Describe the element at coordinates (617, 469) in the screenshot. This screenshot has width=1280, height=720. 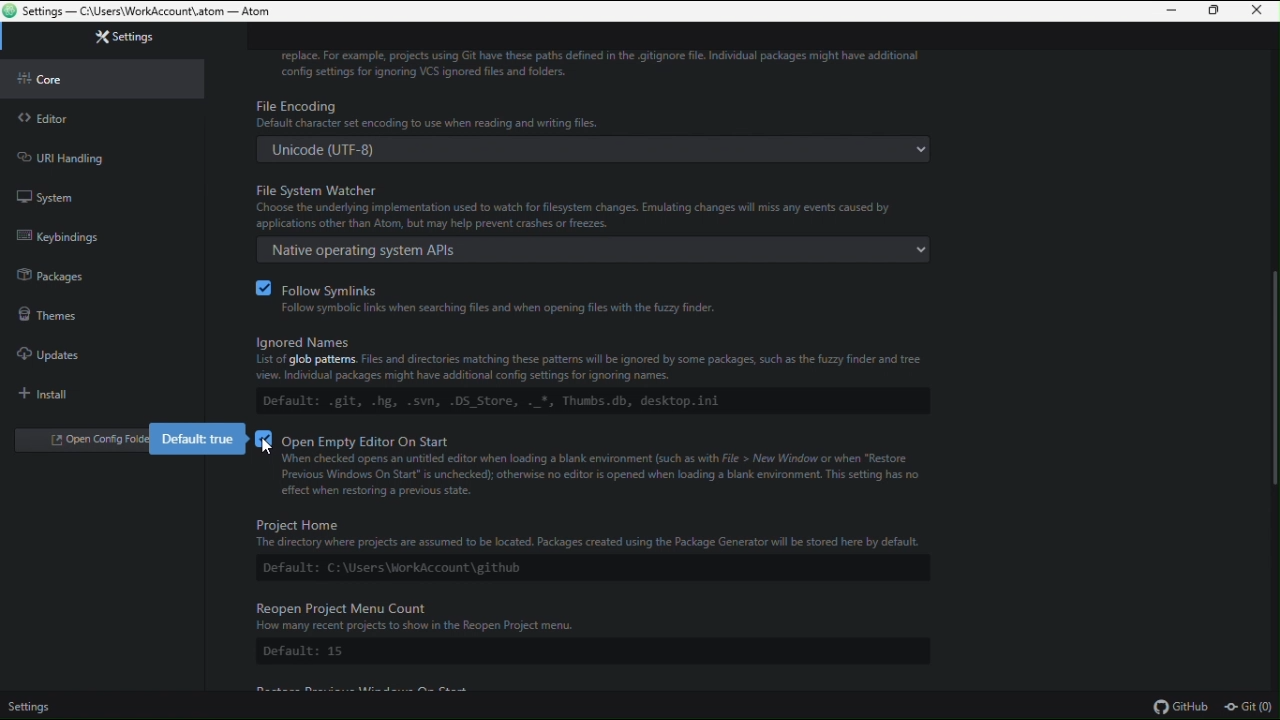
I see `open empty editor on start` at that location.